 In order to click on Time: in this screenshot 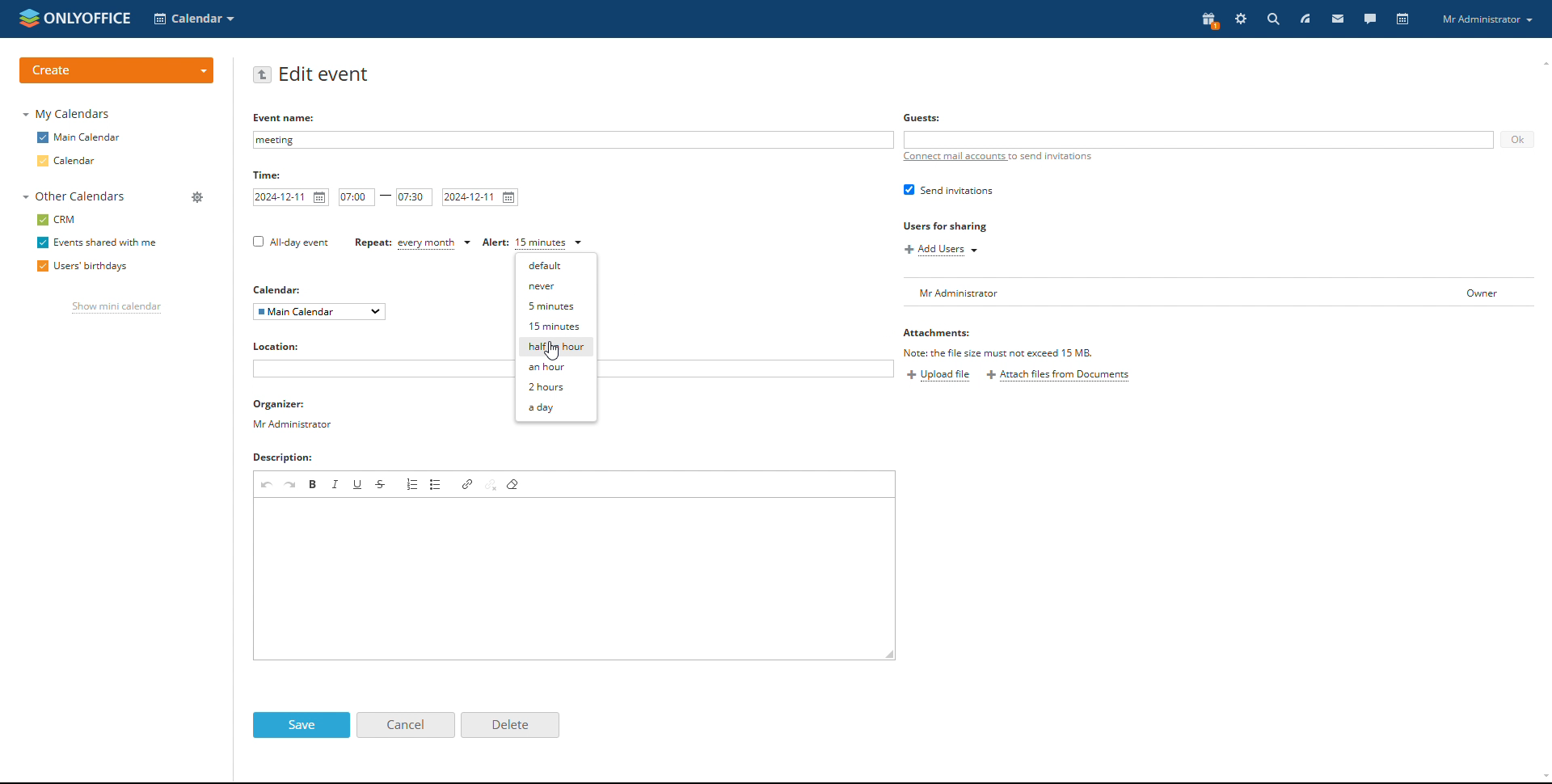, I will do `click(270, 174)`.